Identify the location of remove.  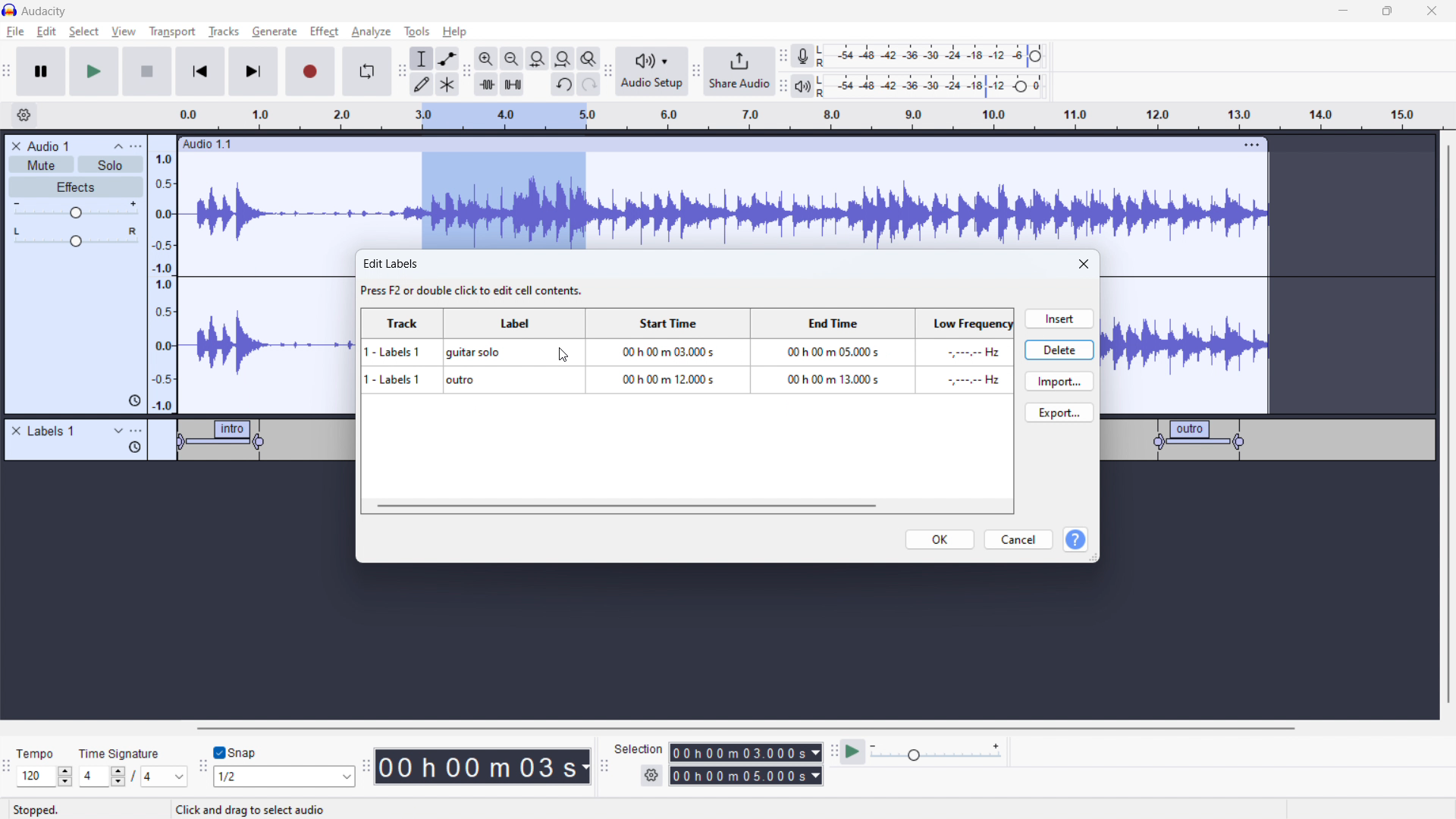
(16, 431).